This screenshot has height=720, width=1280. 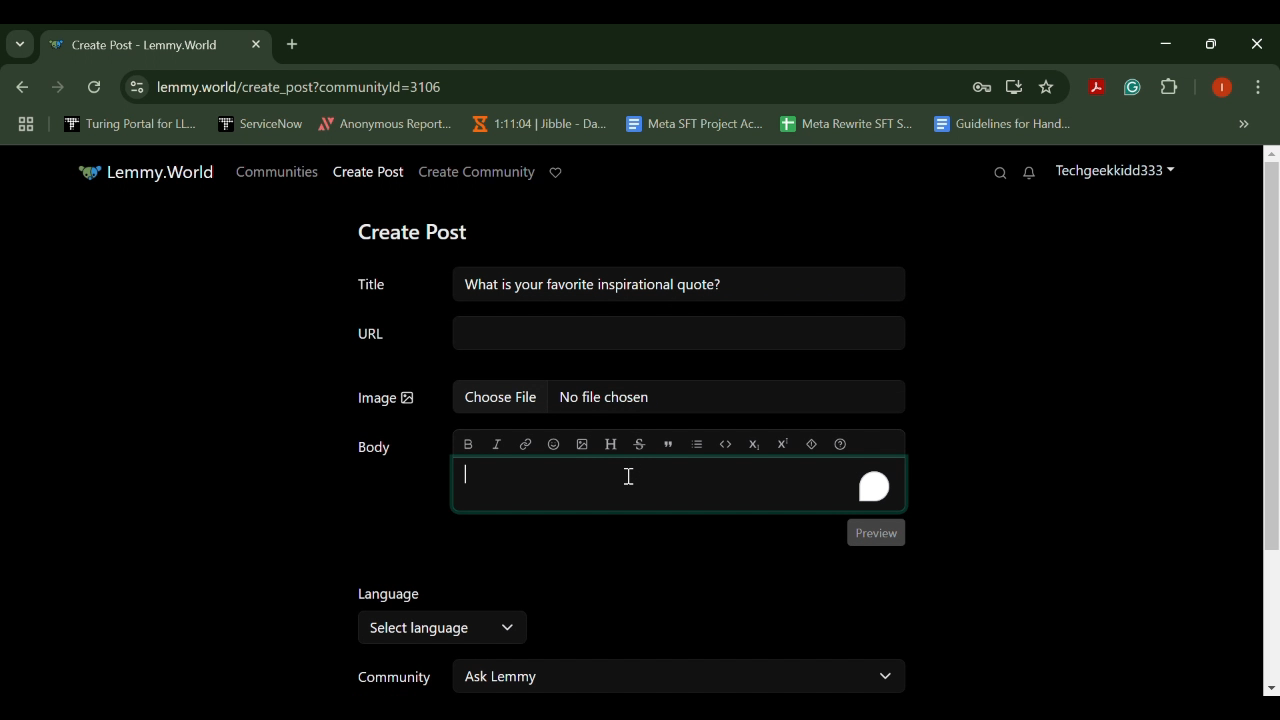 I want to click on Community, so click(x=390, y=678).